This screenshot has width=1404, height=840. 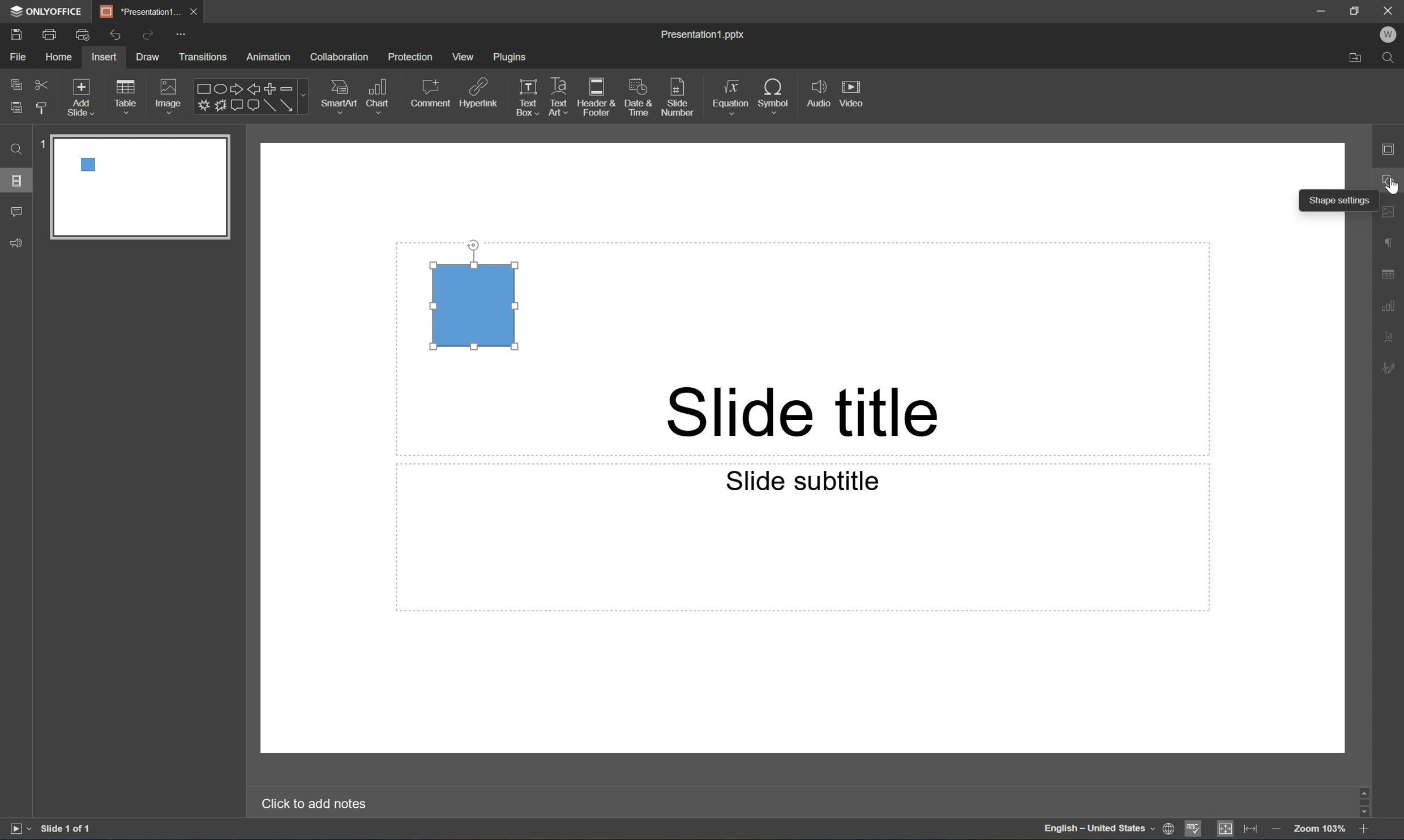 What do you see at coordinates (1356, 60) in the screenshot?
I see `Open file location` at bounding box center [1356, 60].